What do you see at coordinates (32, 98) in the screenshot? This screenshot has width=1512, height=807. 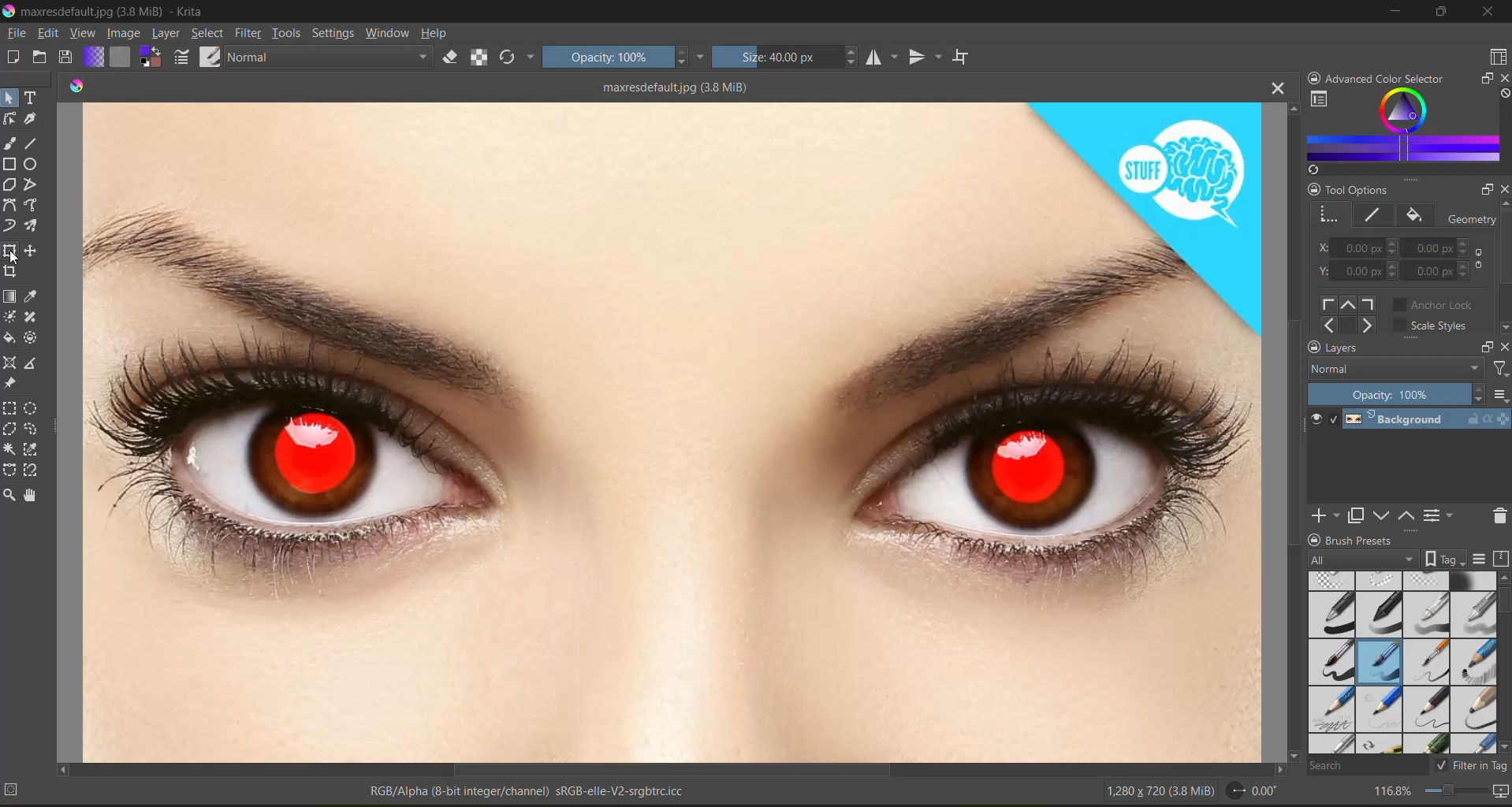 I see `tool` at bounding box center [32, 98].